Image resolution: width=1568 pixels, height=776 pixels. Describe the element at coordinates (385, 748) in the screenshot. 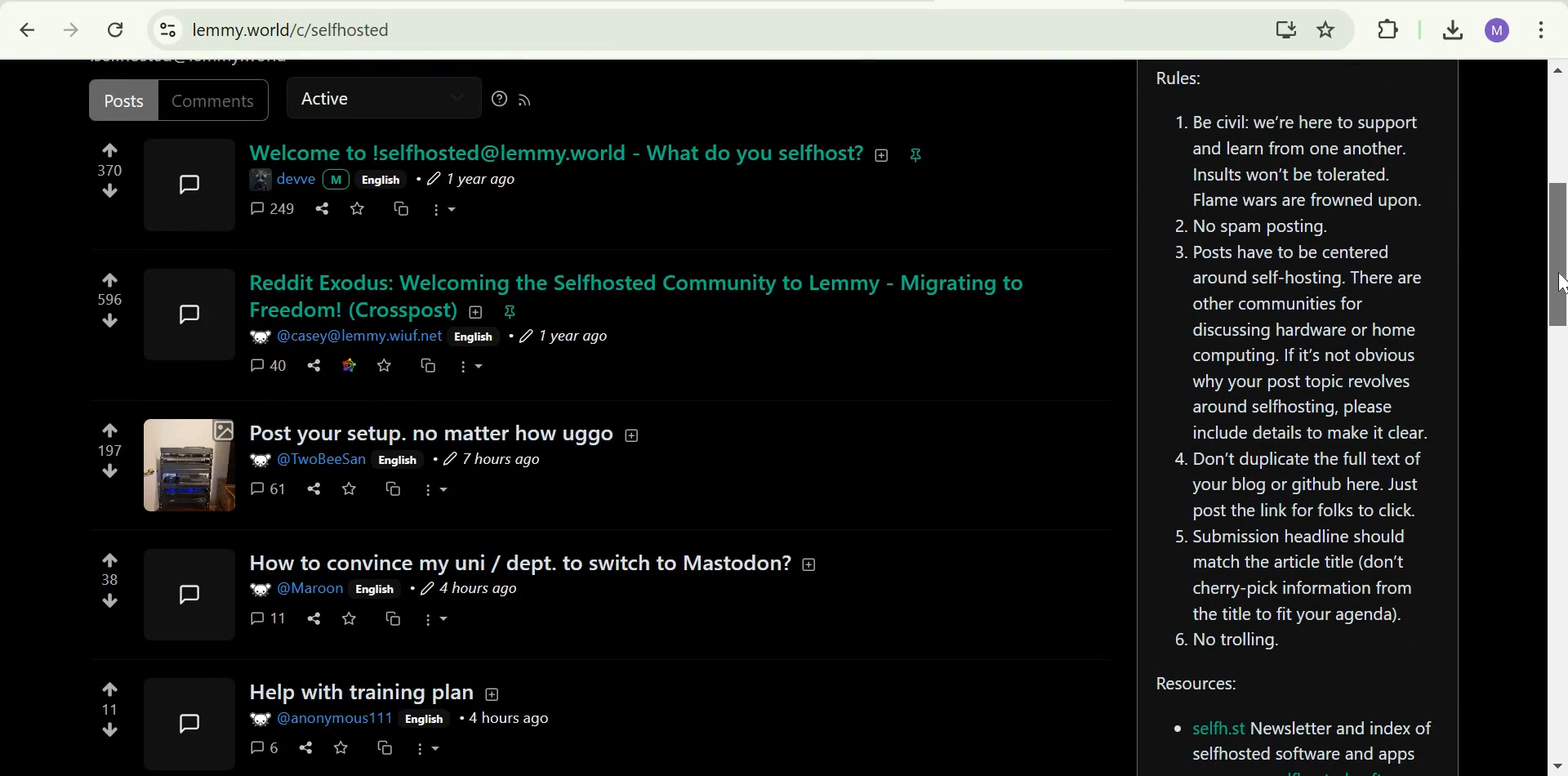

I see `cross-post` at that location.